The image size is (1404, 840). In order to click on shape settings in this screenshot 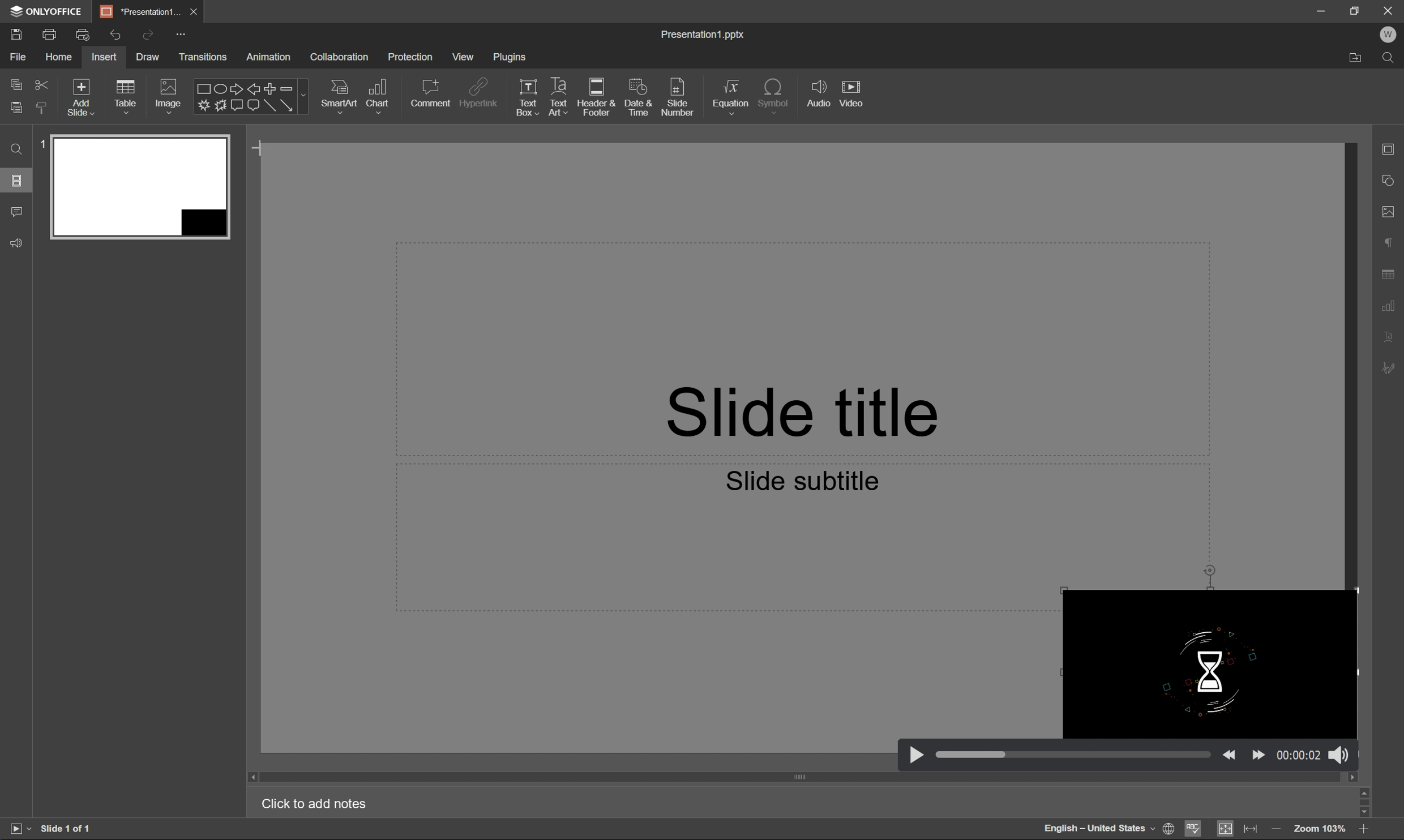, I will do `click(1390, 179)`.